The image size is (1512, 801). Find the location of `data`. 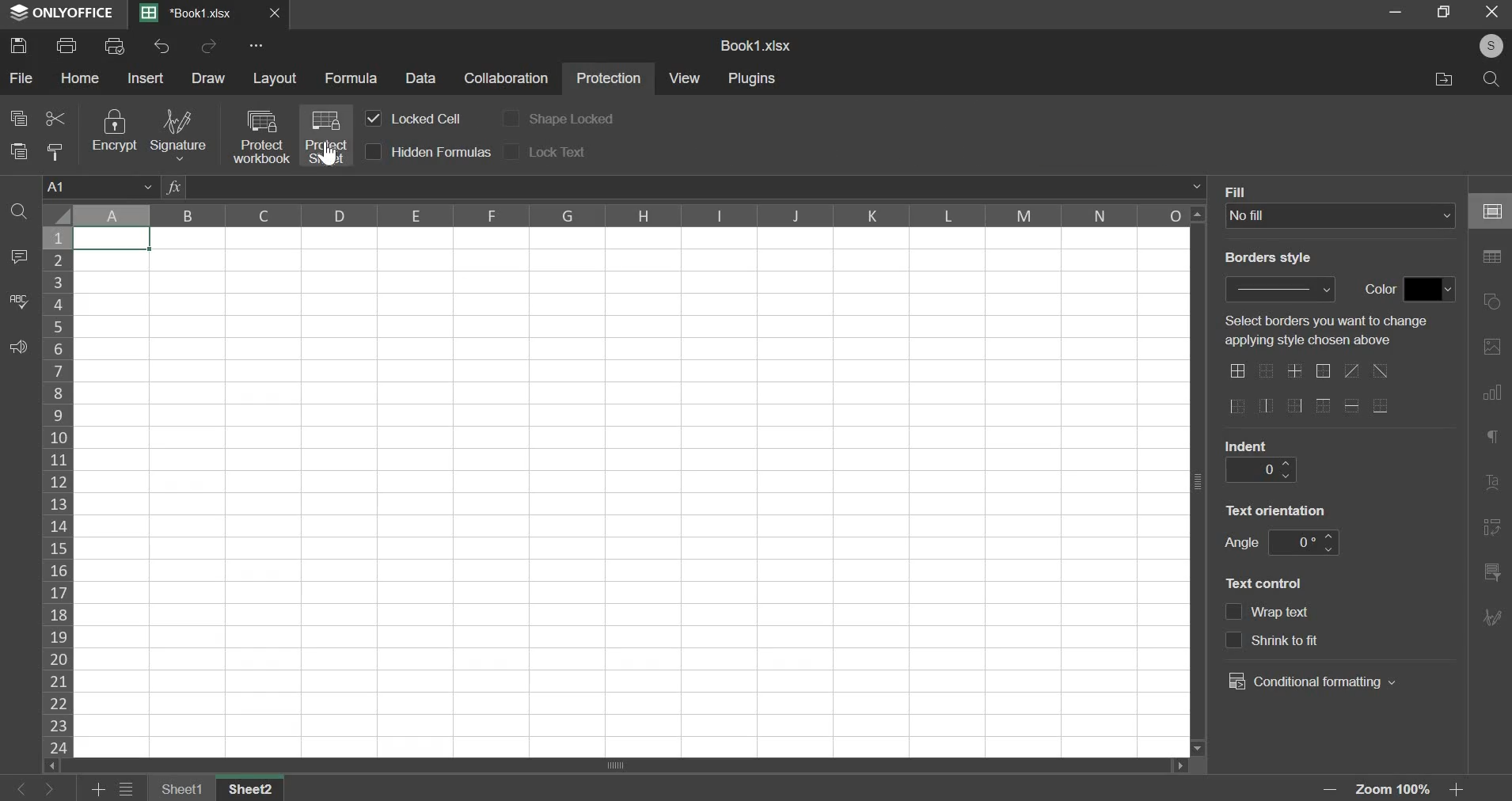

data is located at coordinates (423, 78).